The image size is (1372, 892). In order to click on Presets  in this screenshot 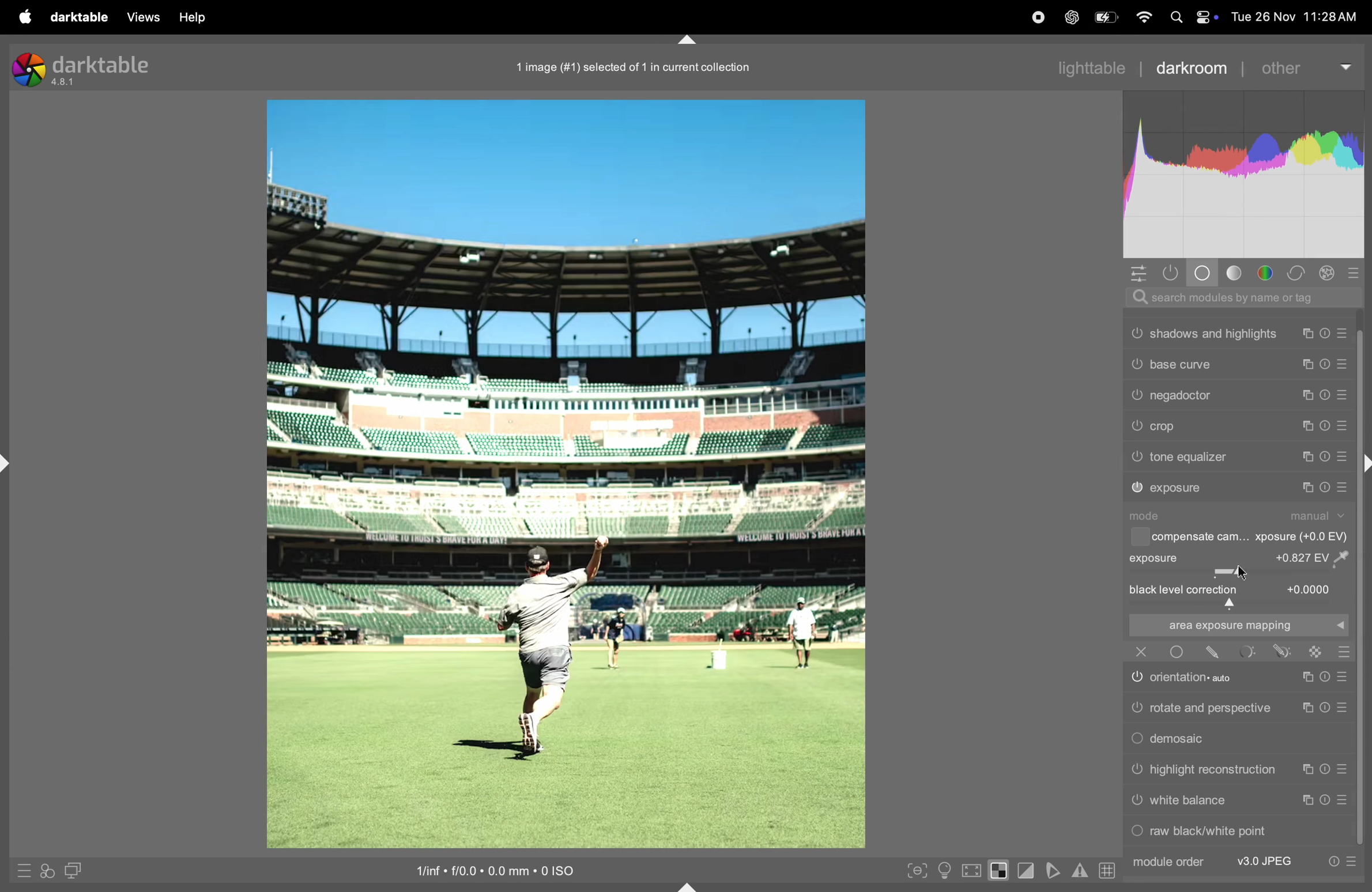, I will do `click(1344, 334)`.